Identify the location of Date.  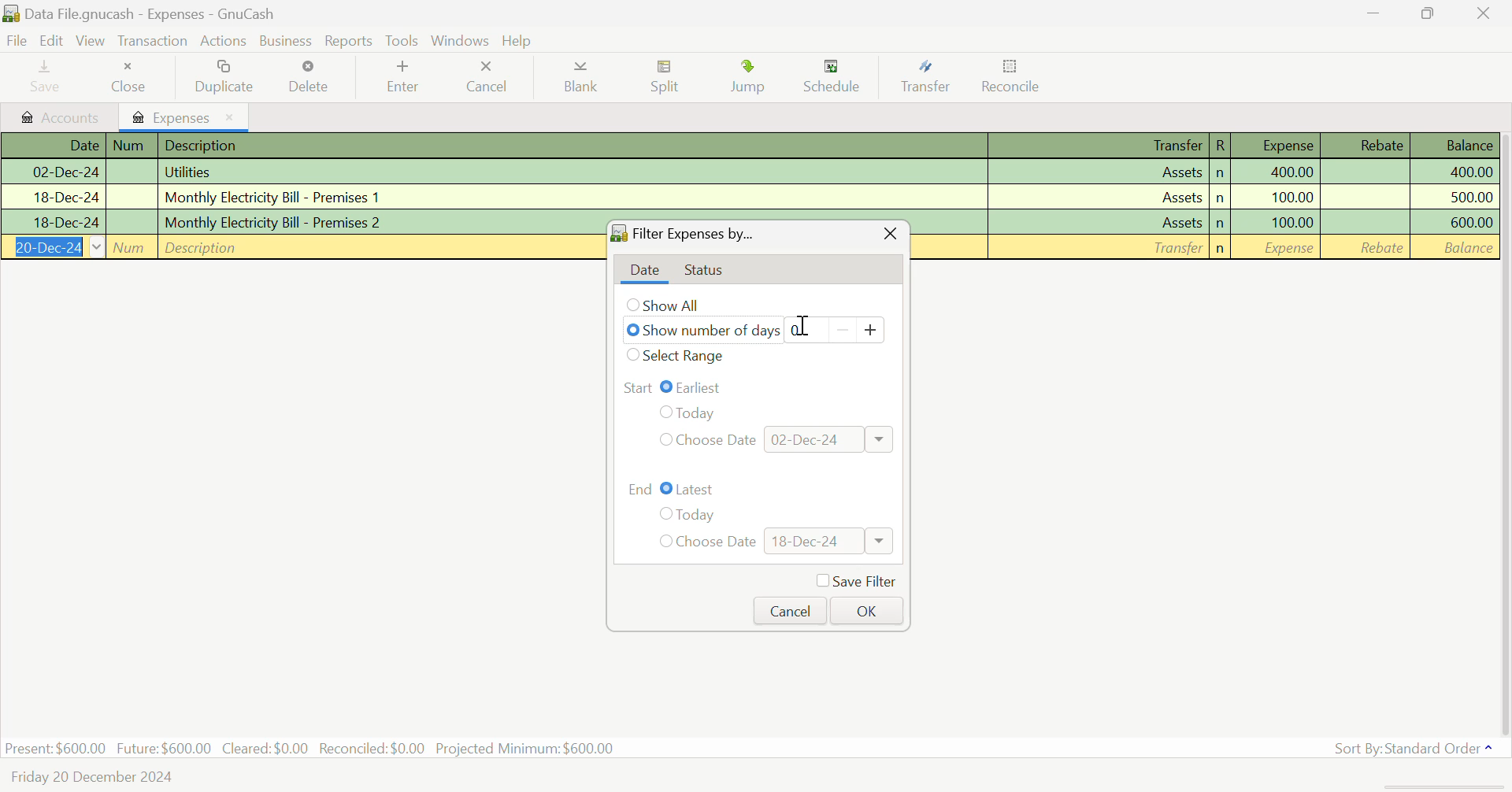
(51, 172).